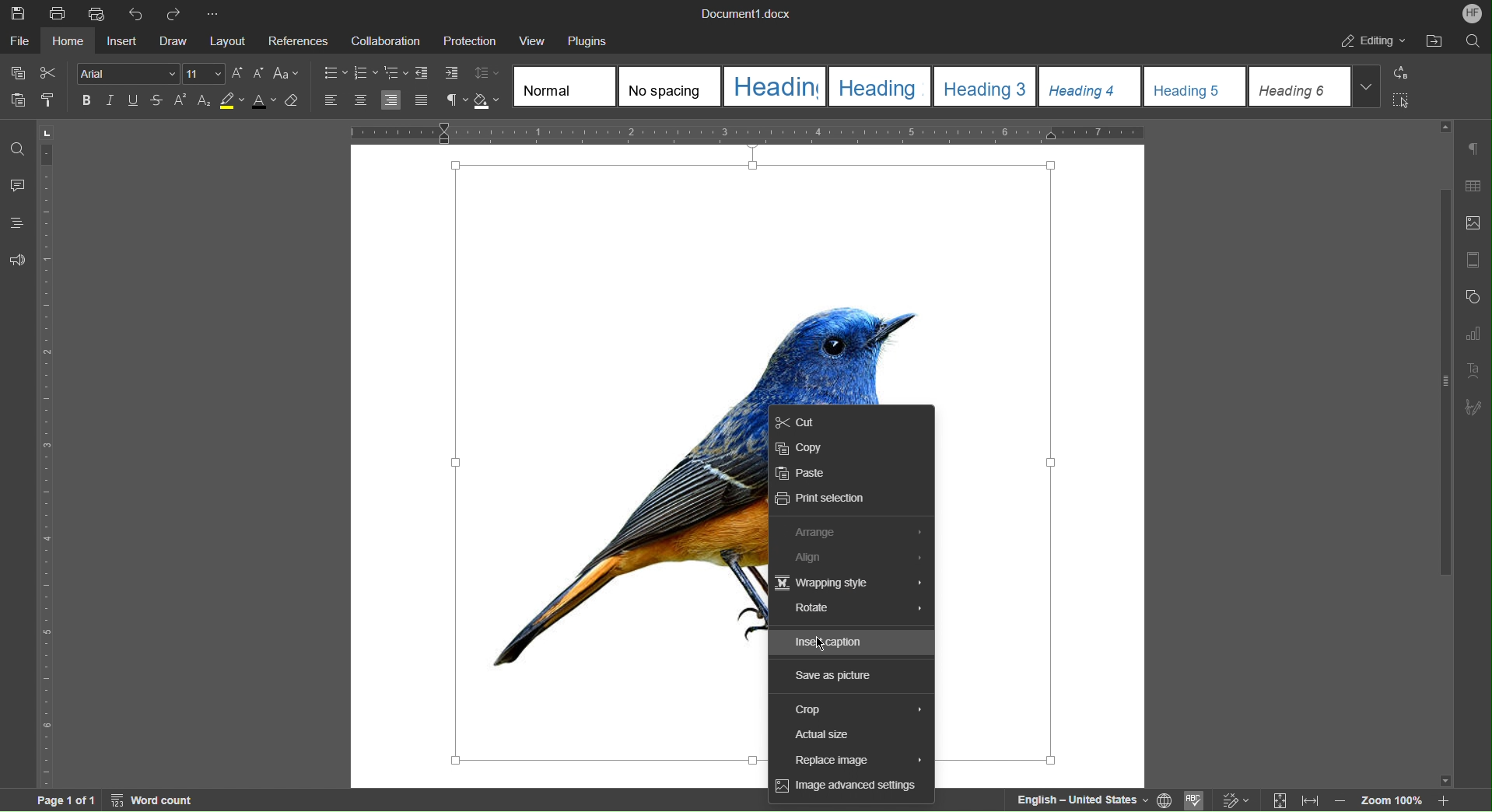 Image resolution: width=1492 pixels, height=812 pixels. Describe the element at coordinates (1234, 797) in the screenshot. I see `Track changes` at that location.